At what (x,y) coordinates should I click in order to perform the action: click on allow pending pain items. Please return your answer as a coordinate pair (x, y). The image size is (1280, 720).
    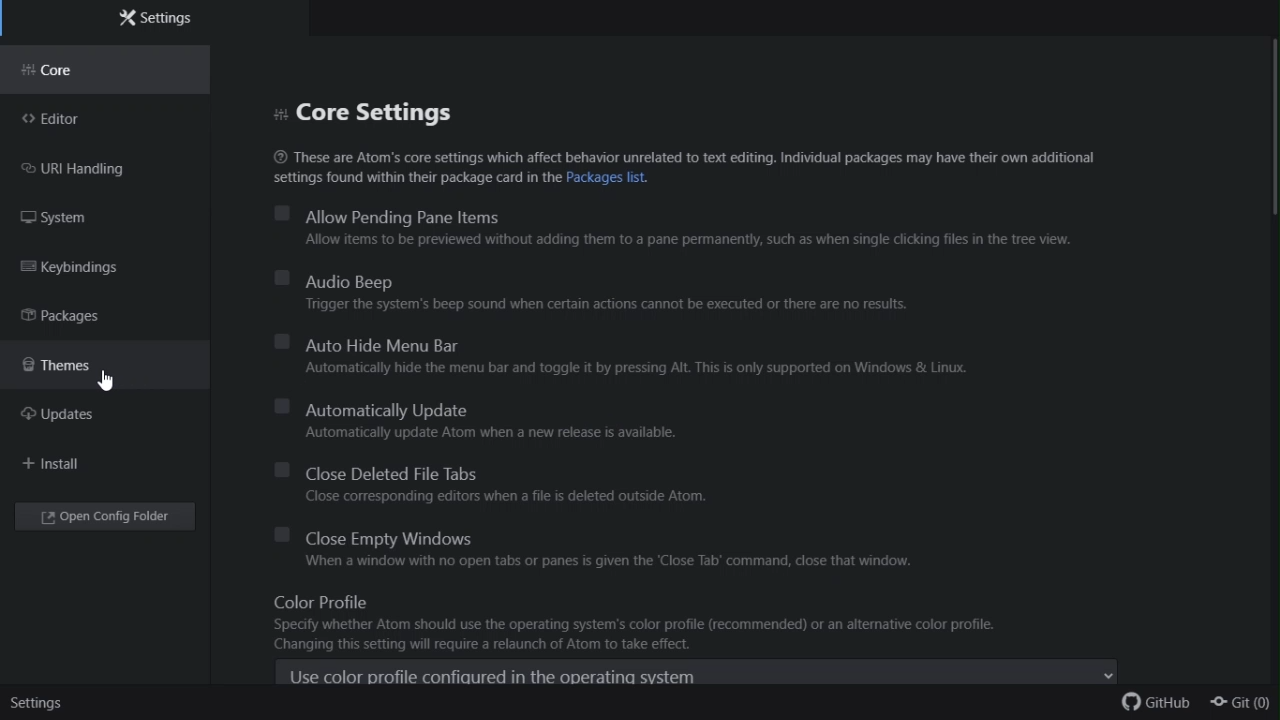
    Looking at the image, I should click on (689, 213).